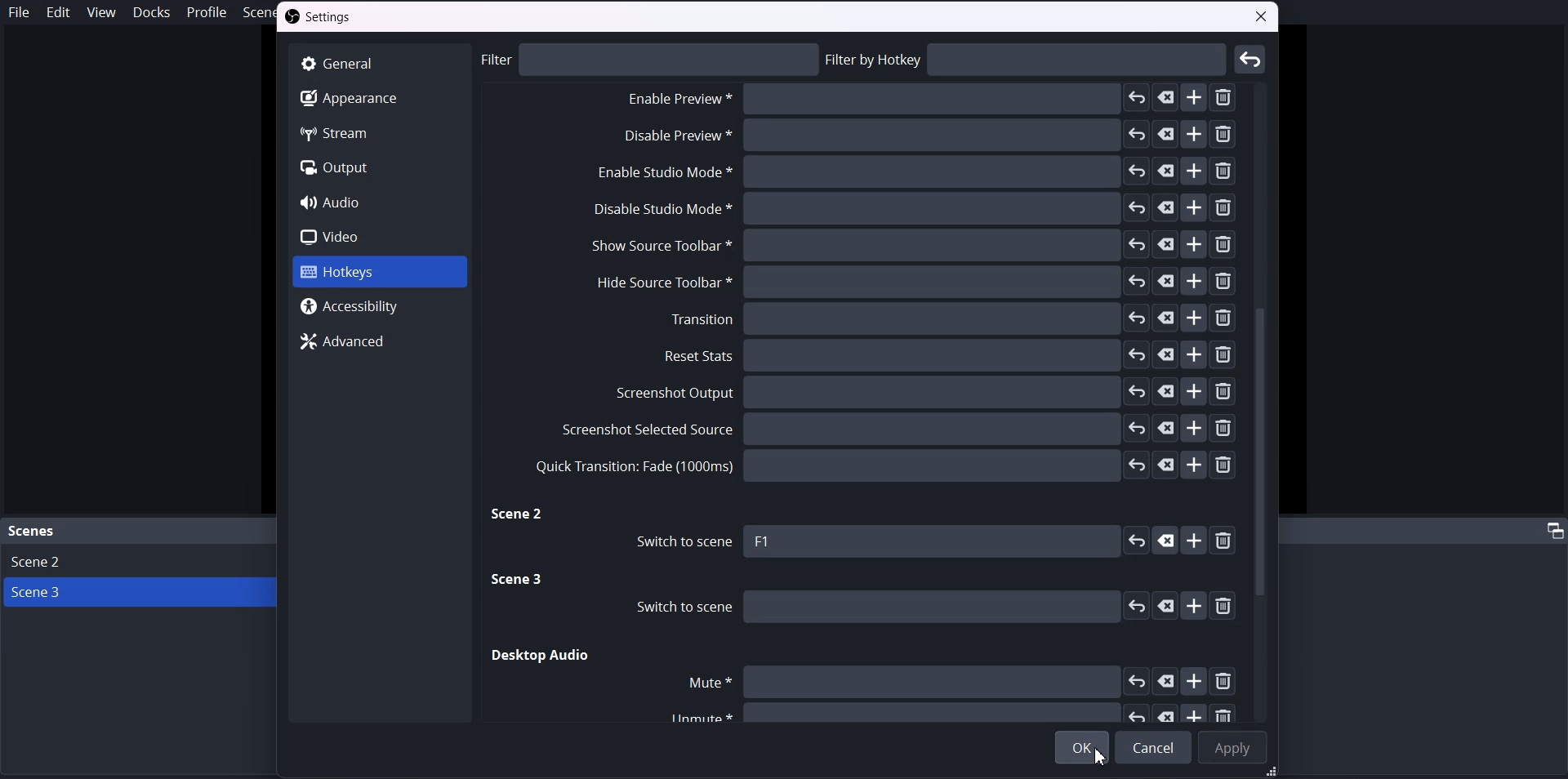  I want to click on General, so click(378, 63).